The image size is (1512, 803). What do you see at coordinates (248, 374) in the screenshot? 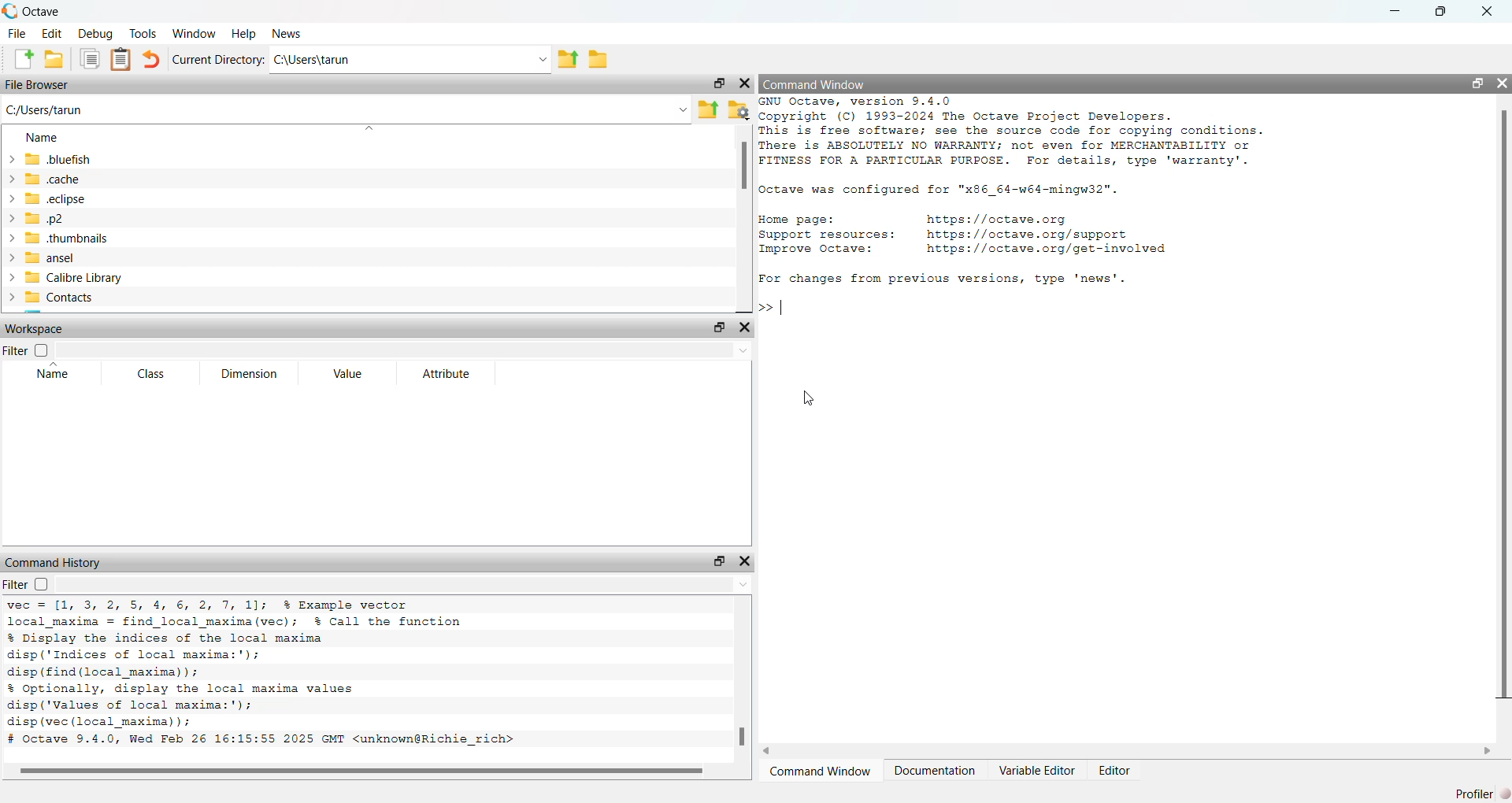
I see `Dimension` at bounding box center [248, 374].